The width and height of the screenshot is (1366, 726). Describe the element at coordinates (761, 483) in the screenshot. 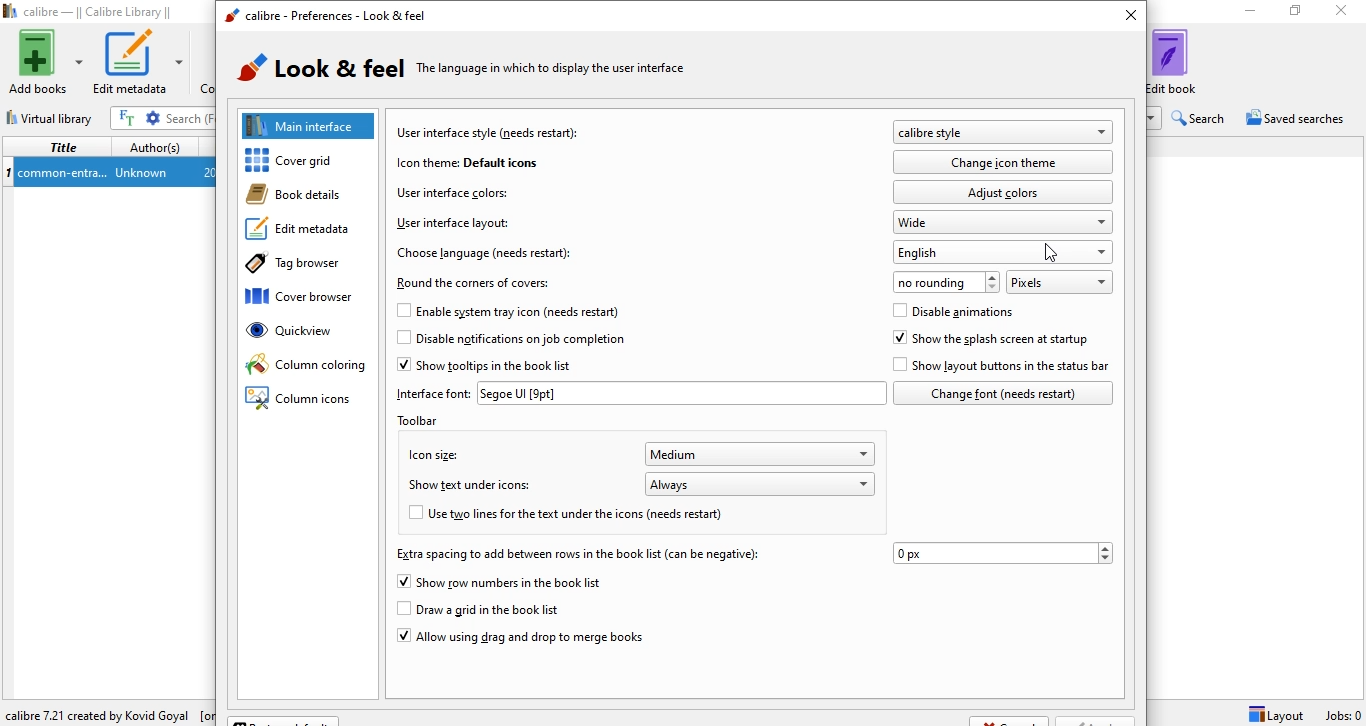

I see `always` at that location.